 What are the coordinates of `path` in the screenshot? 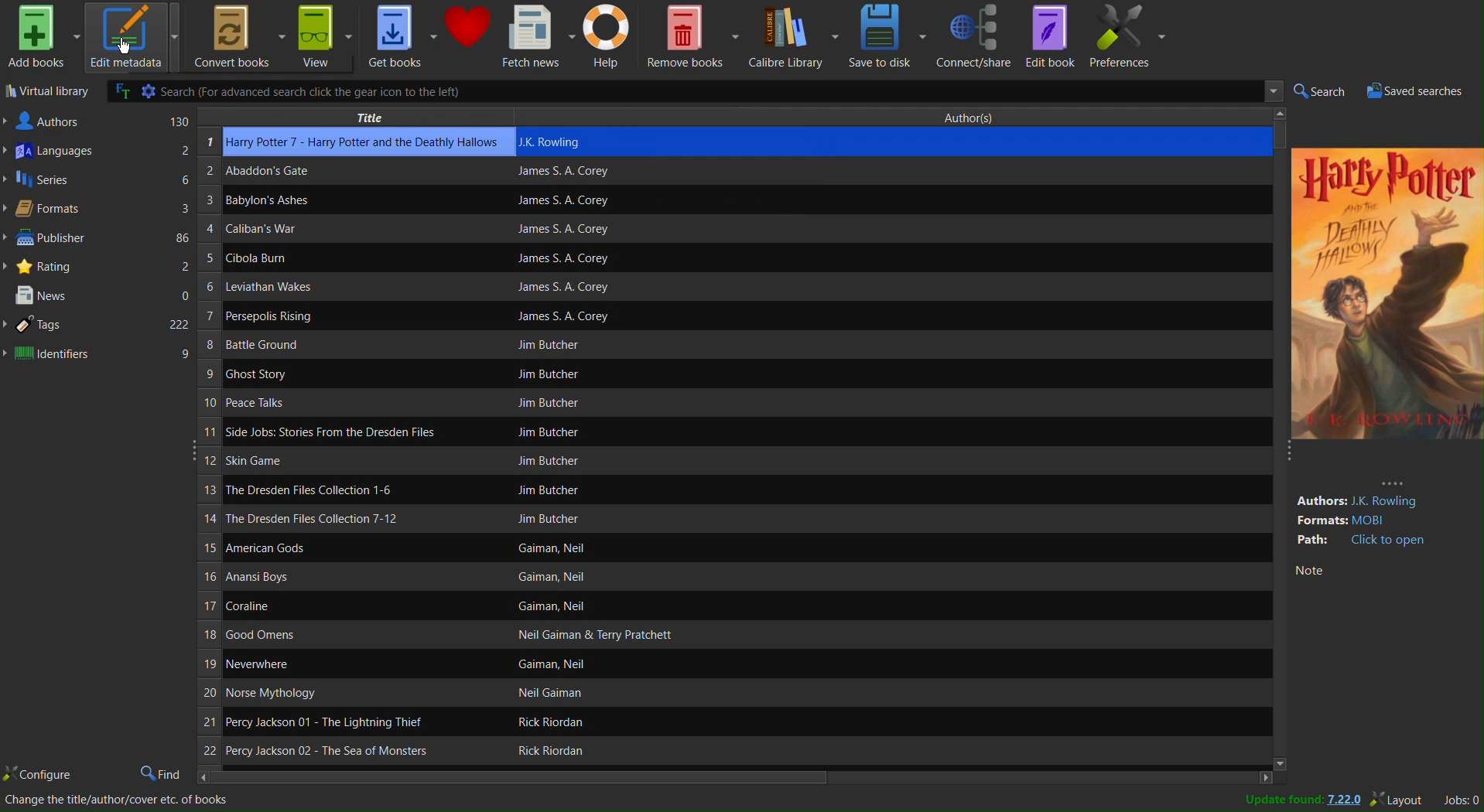 It's located at (1362, 542).